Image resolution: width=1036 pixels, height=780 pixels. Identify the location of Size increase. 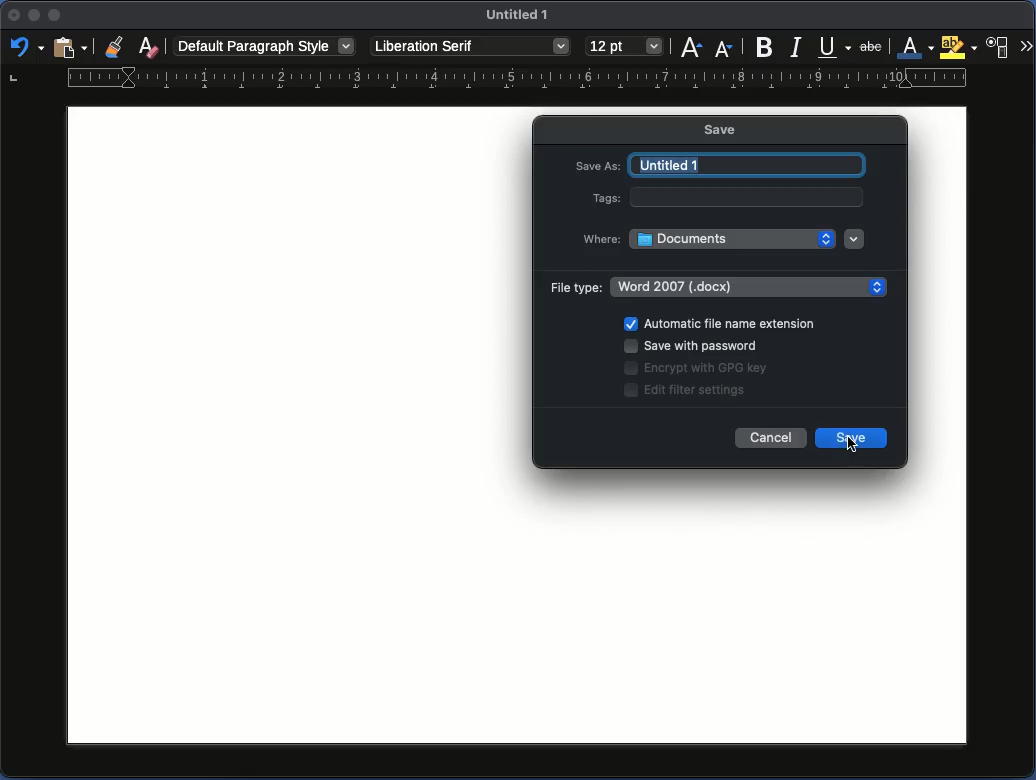
(693, 47).